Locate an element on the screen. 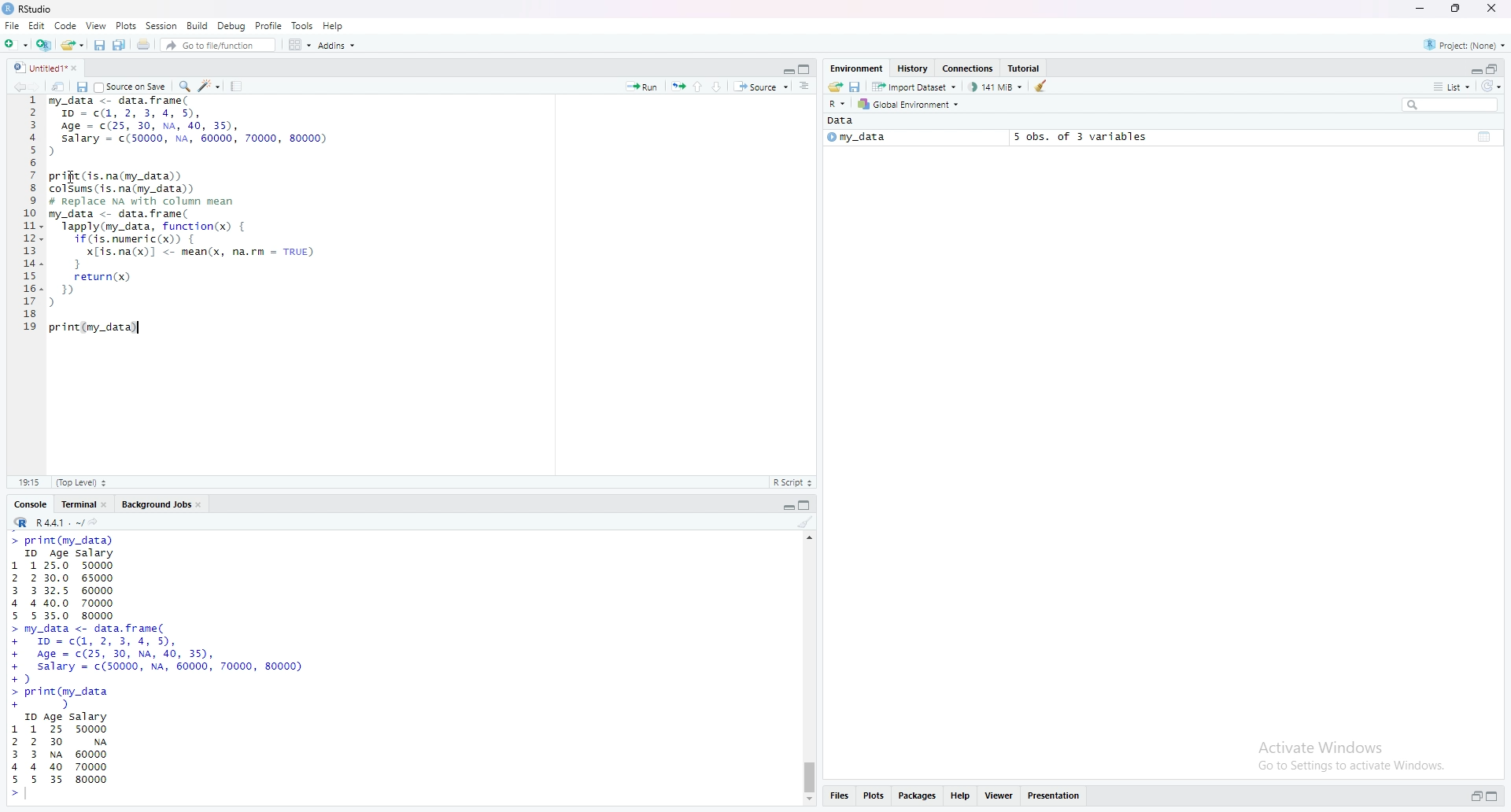 The height and width of the screenshot is (812, 1511). Find/replace is located at coordinates (186, 85).